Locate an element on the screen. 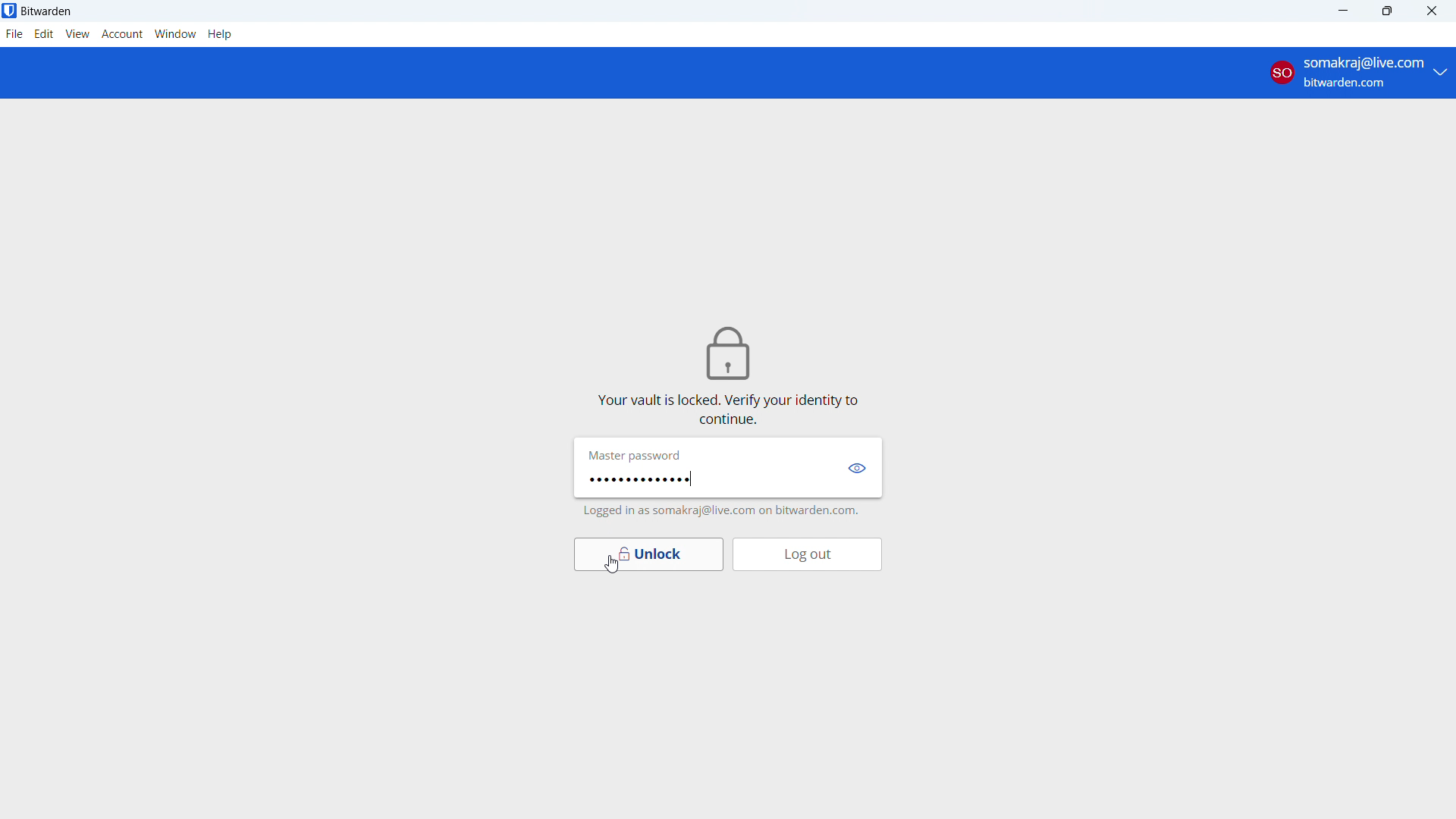  maximize is located at coordinates (1387, 11).